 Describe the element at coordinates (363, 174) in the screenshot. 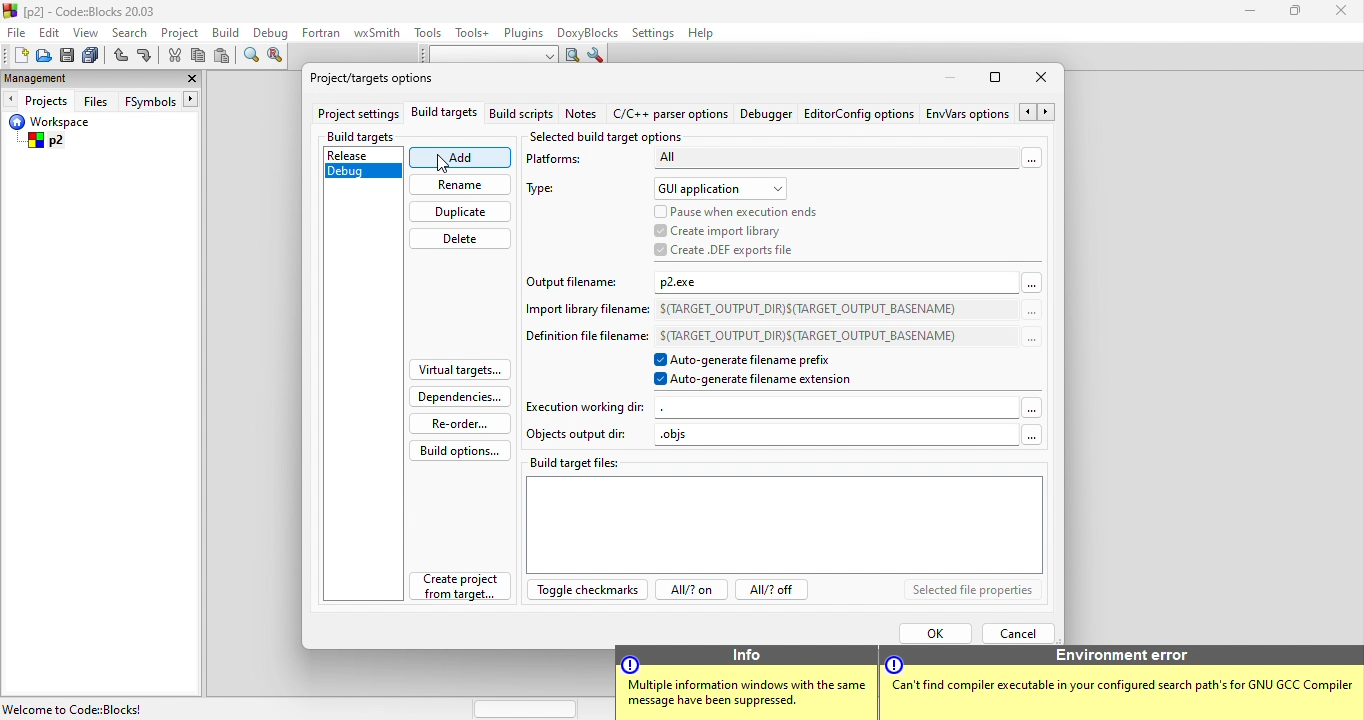

I see `Debug` at that location.